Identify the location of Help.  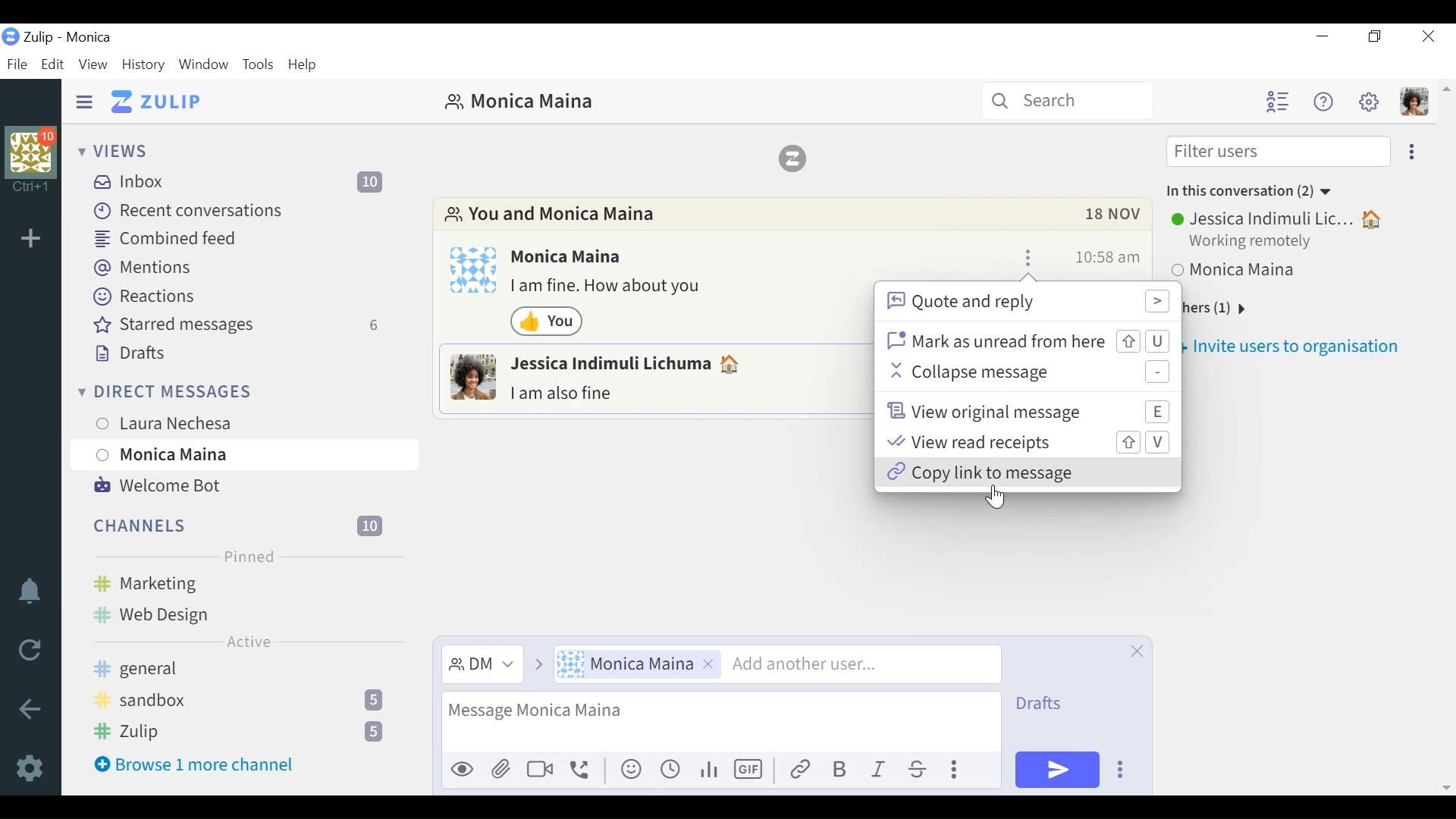
(306, 63).